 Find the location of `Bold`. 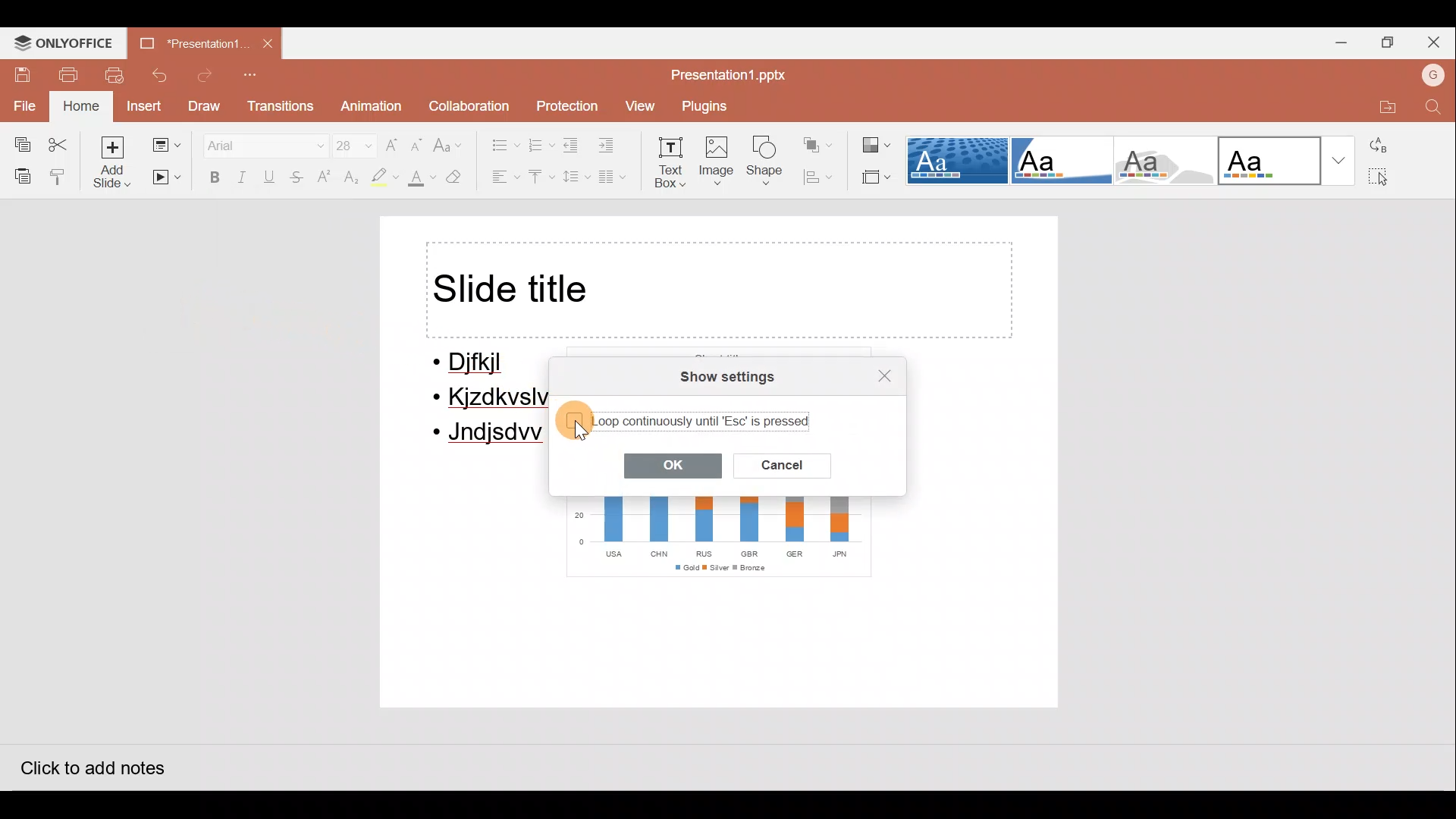

Bold is located at coordinates (210, 176).